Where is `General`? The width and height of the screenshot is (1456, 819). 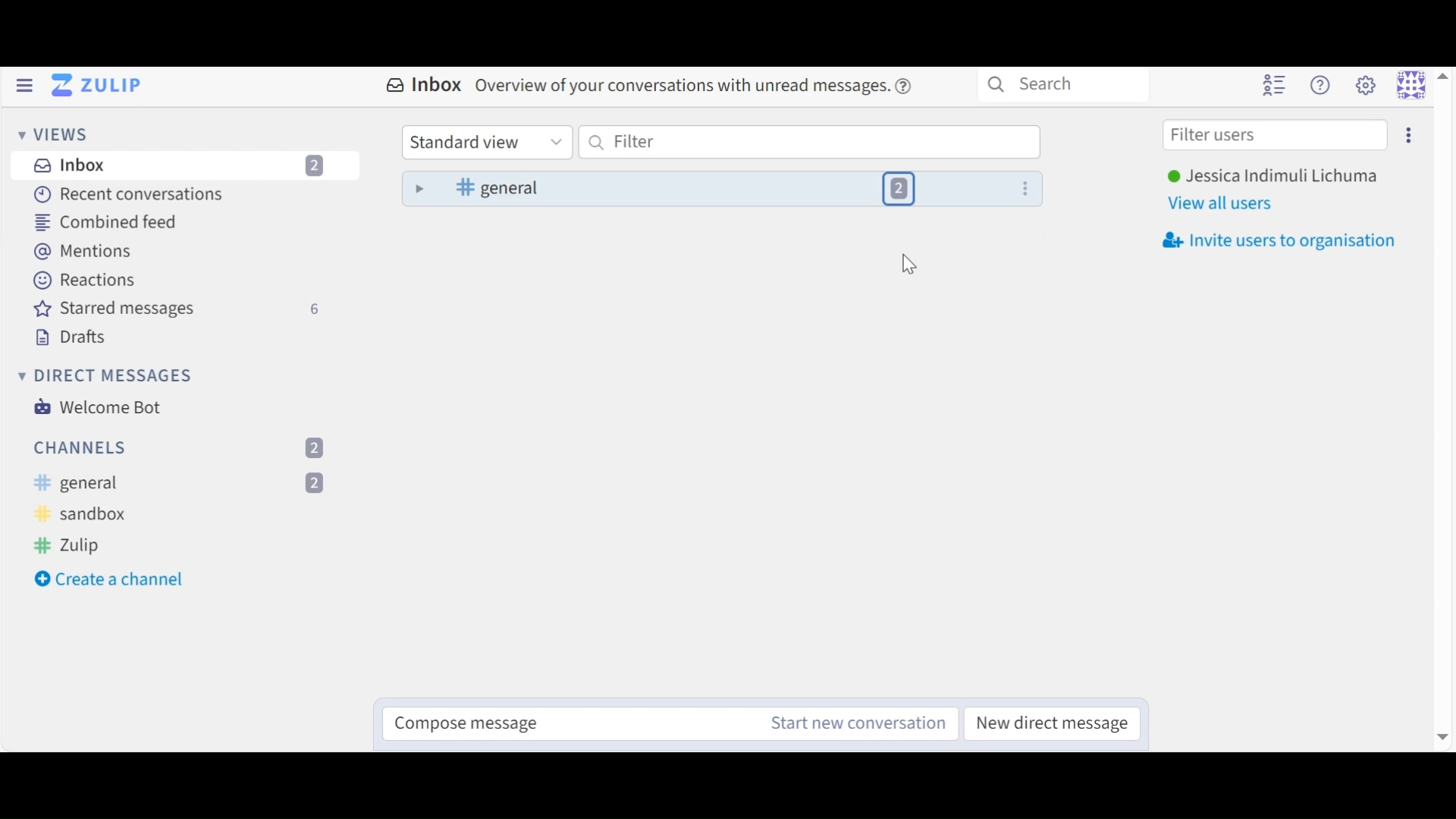
General is located at coordinates (185, 482).